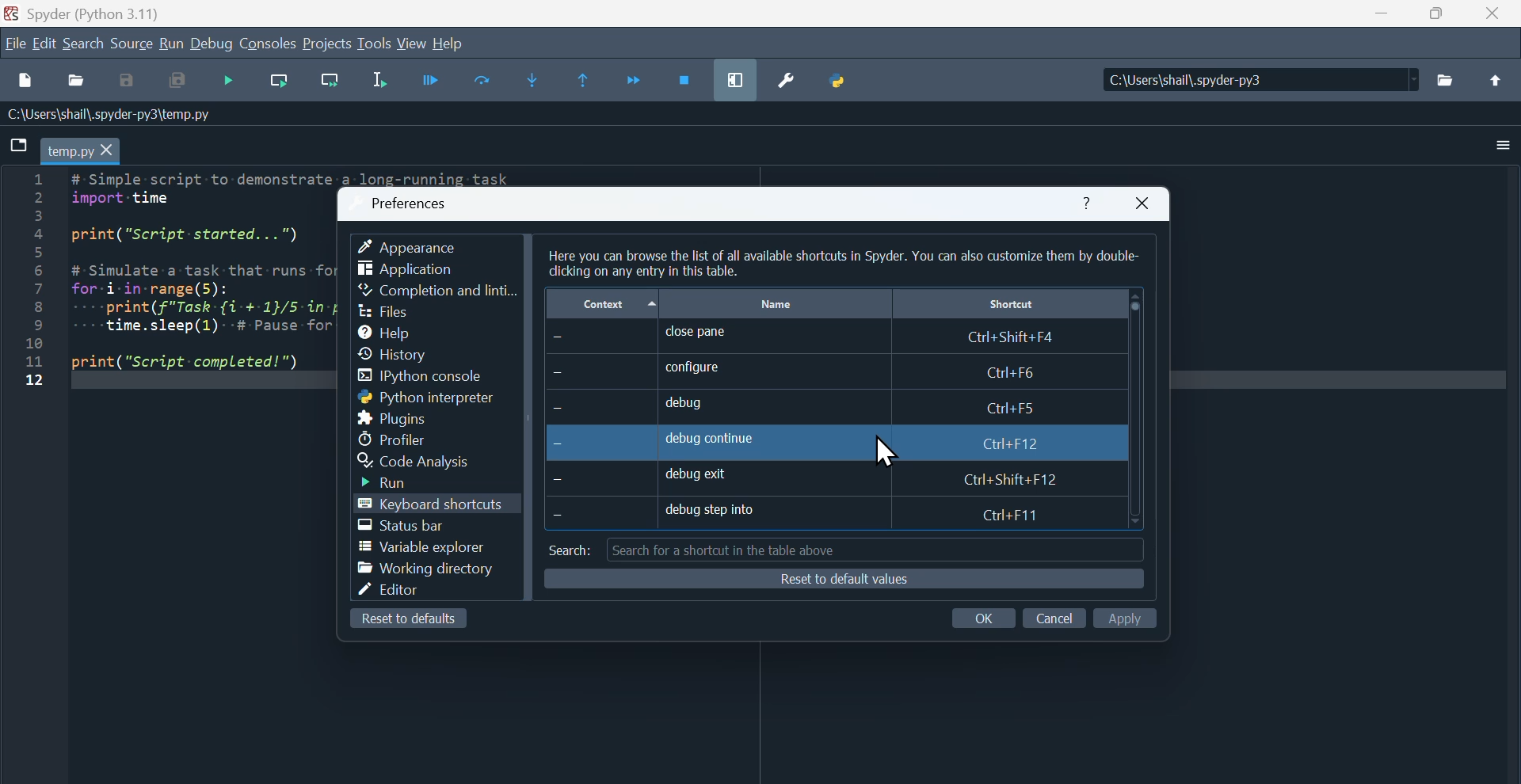  I want to click on , so click(991, 618).